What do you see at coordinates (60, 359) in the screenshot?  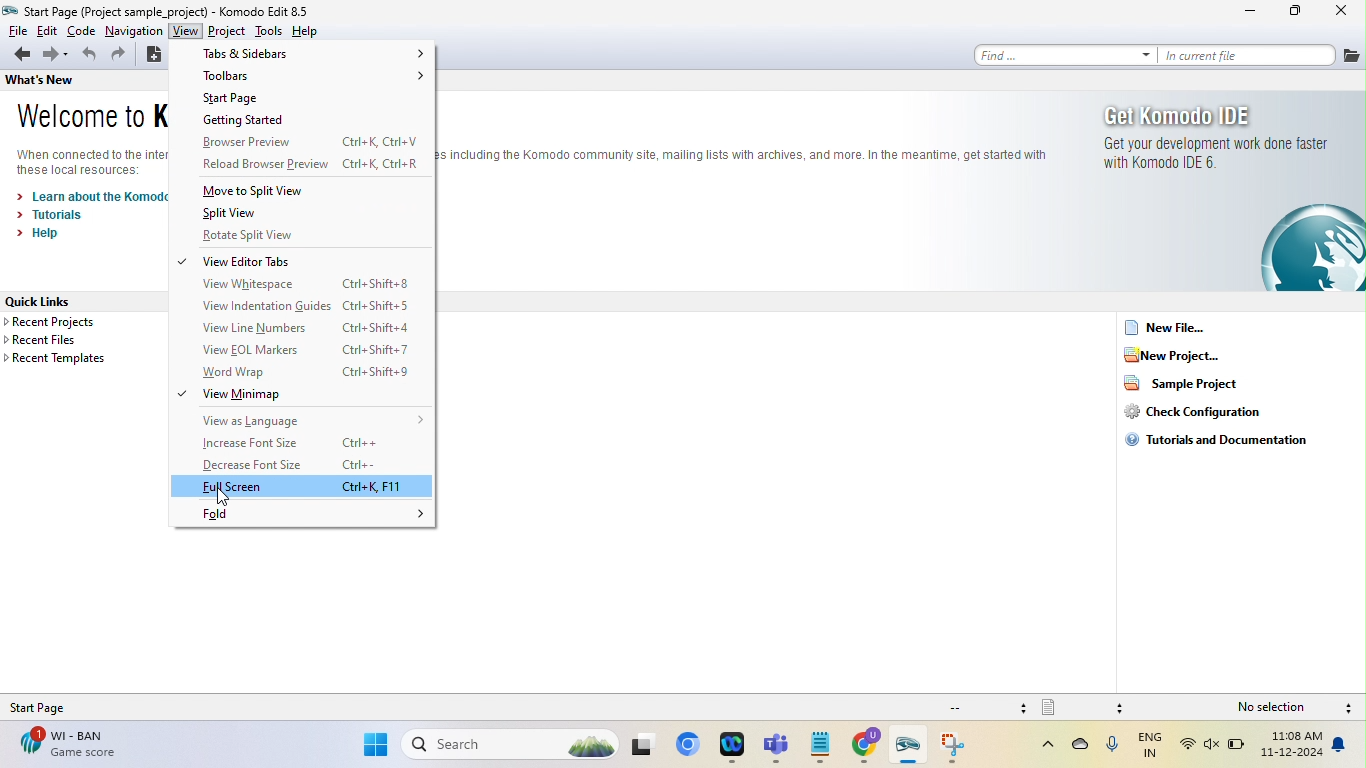 I see `recent templates` at bounding box center [60, 359].